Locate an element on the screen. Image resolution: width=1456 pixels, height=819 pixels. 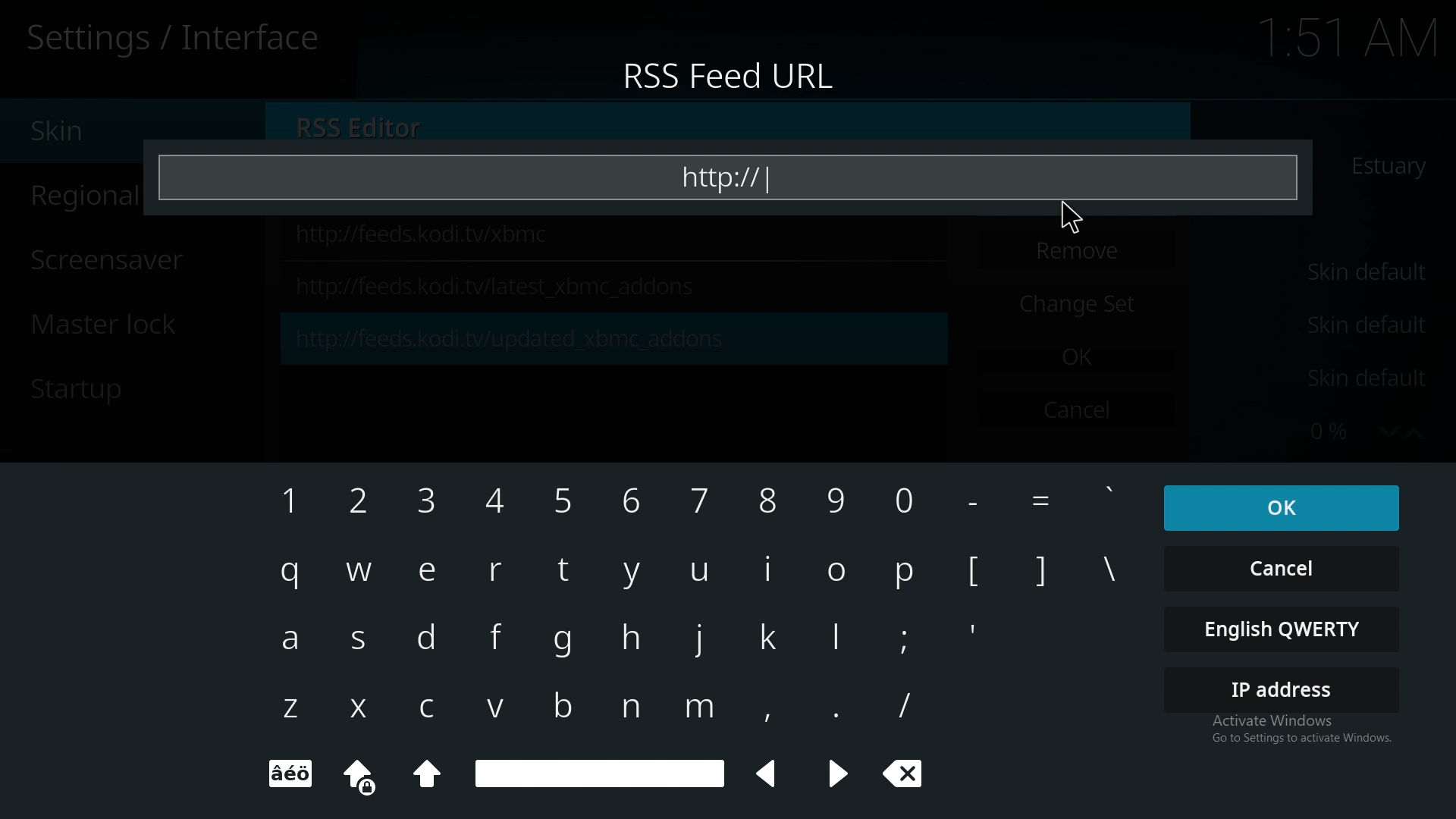
rss feed url is located at coordinates (729, 78).